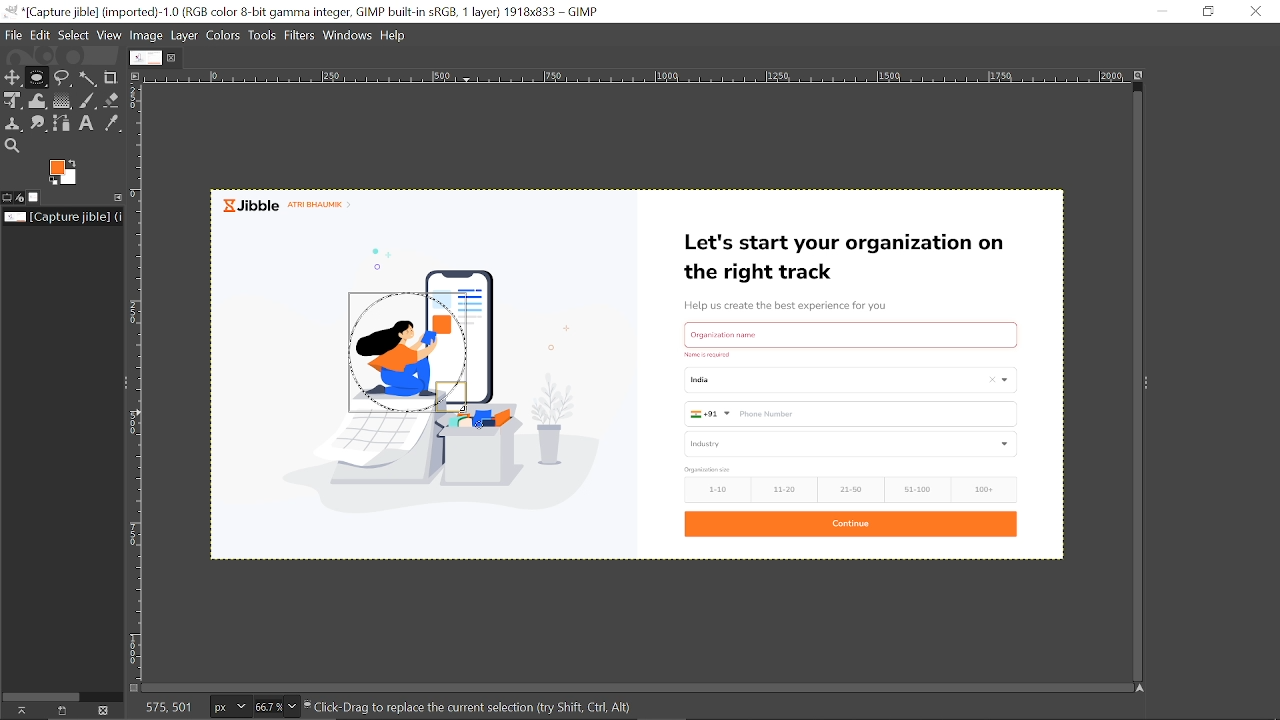 The image size is (1280, 720). I want to click on Color picker tool, so click(111, 124).